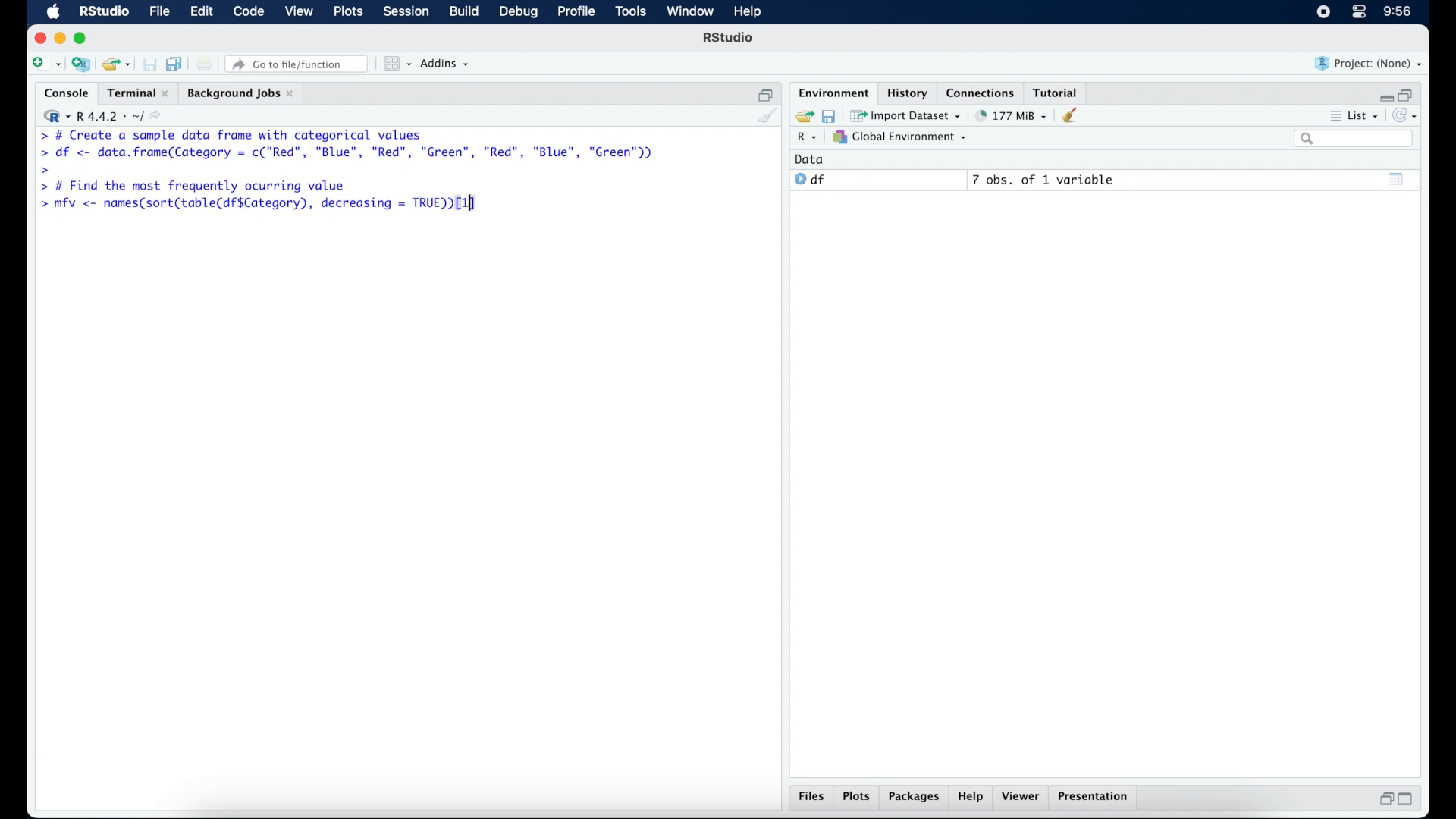  Describe the element at coordinates (811, 180) in the screenshot. I see `df` at that location.